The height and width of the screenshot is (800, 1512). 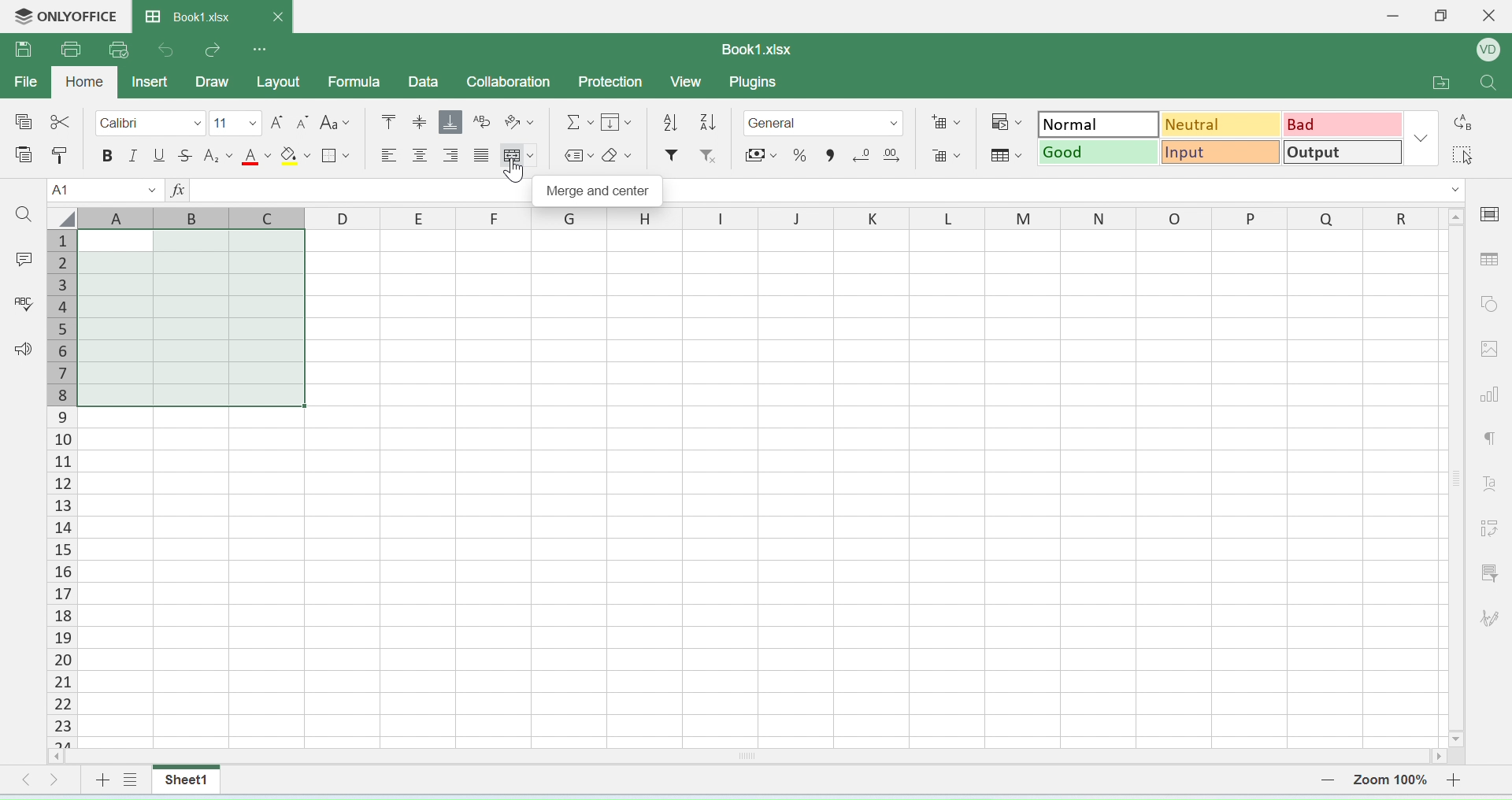 What do you see at coordinates (87, 83) in the screenshot?
I see `` at bounding box center [87, 83].